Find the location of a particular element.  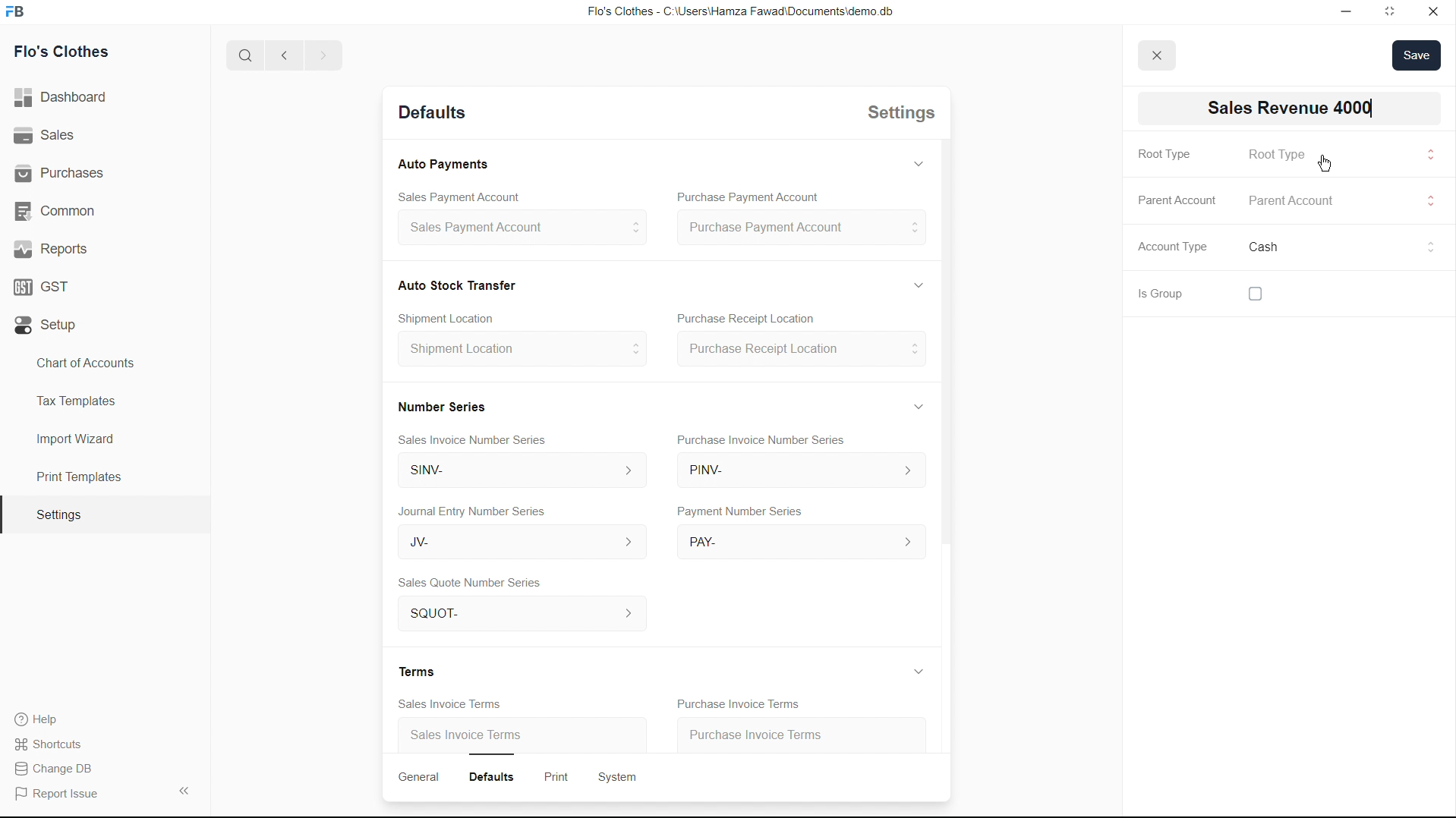

Purchase Invoice Number Series is located at coordinates (766, 442).